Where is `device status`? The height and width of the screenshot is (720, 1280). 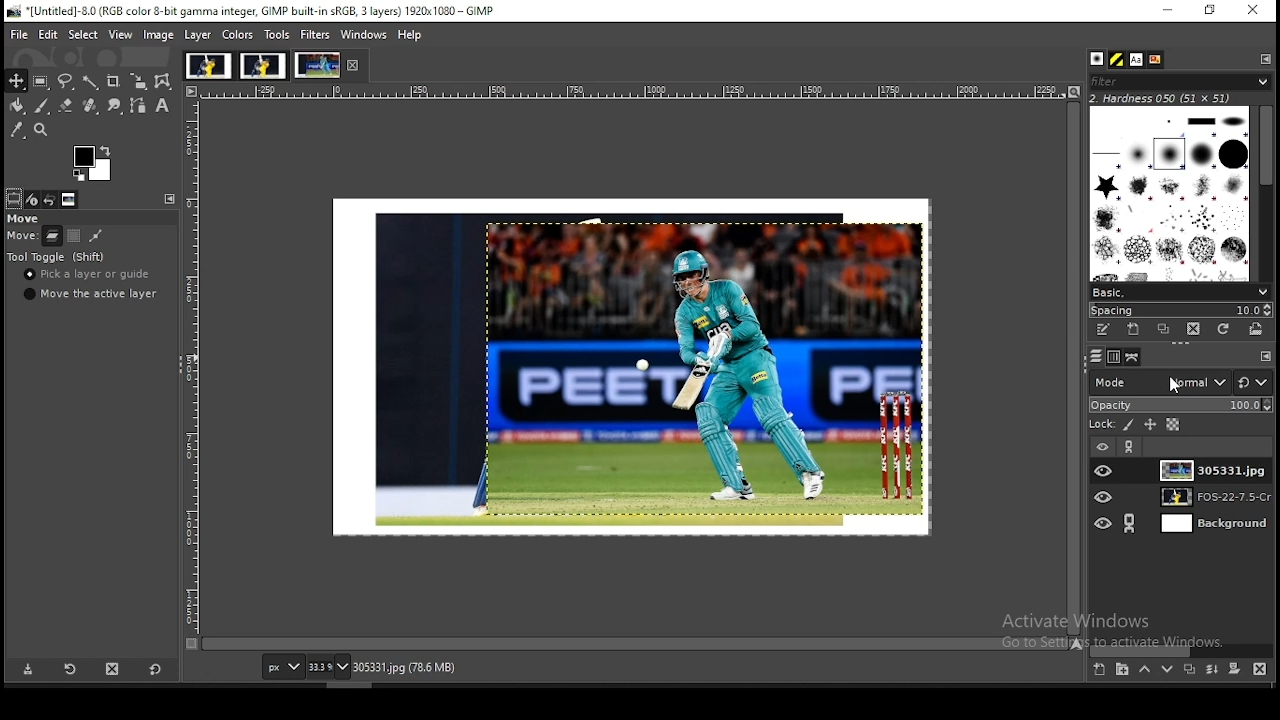
device status is located at coordinates (32, 199).